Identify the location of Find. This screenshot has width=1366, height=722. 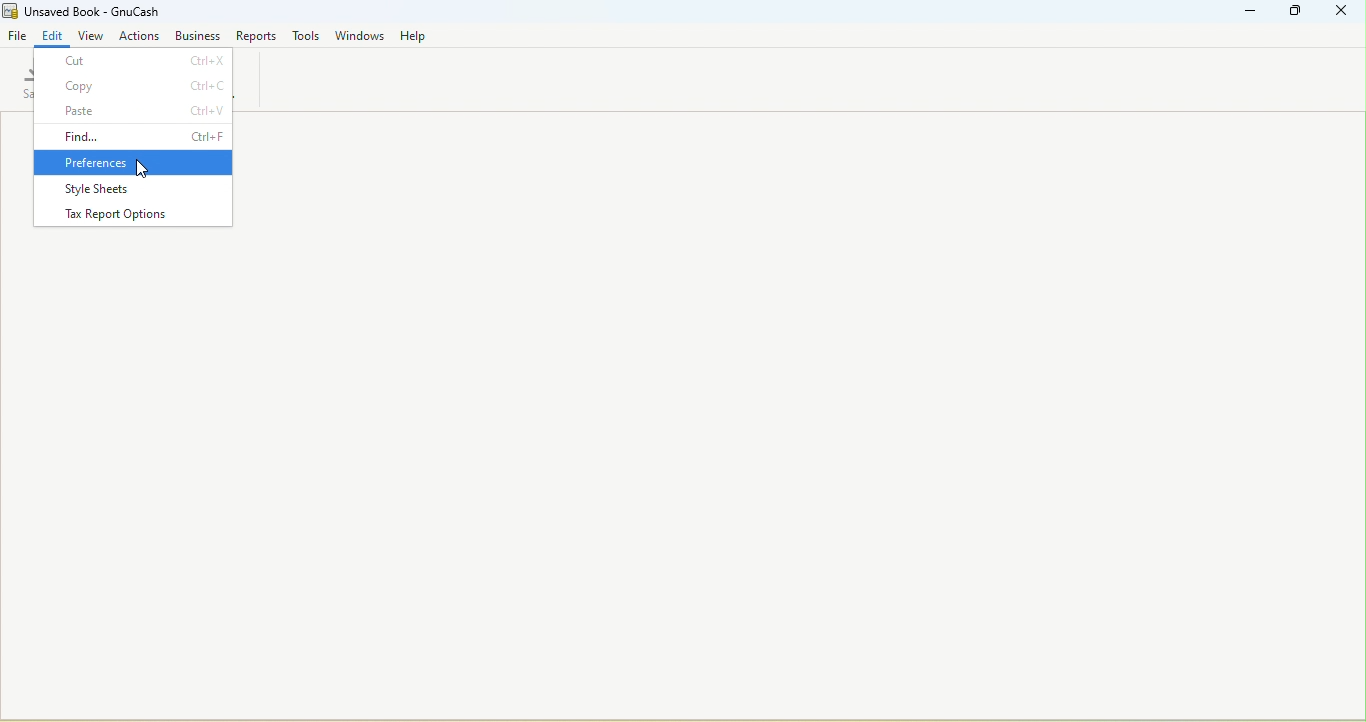
(136, 136).